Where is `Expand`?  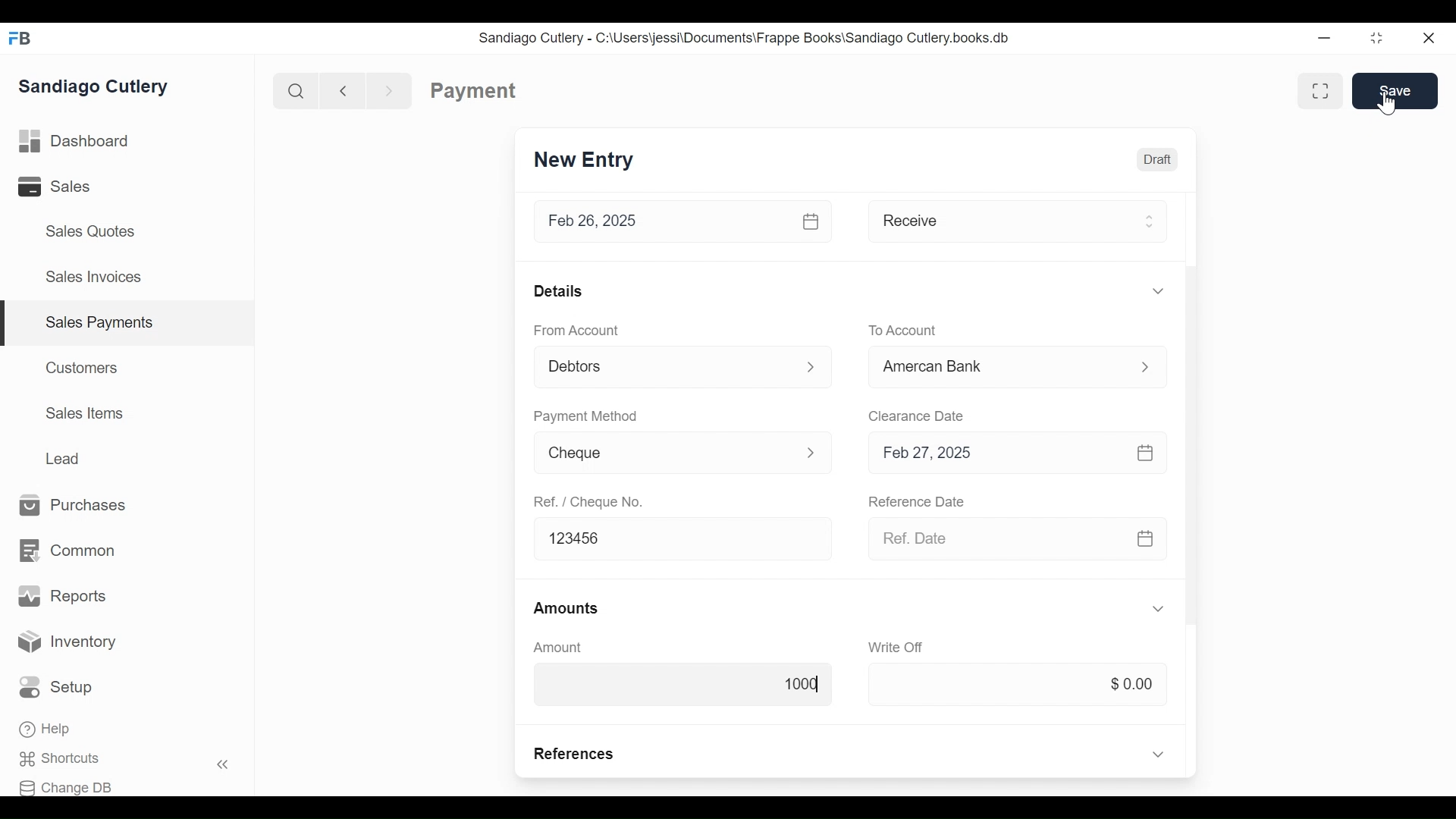 Expand is located at coordinates (811, 451).